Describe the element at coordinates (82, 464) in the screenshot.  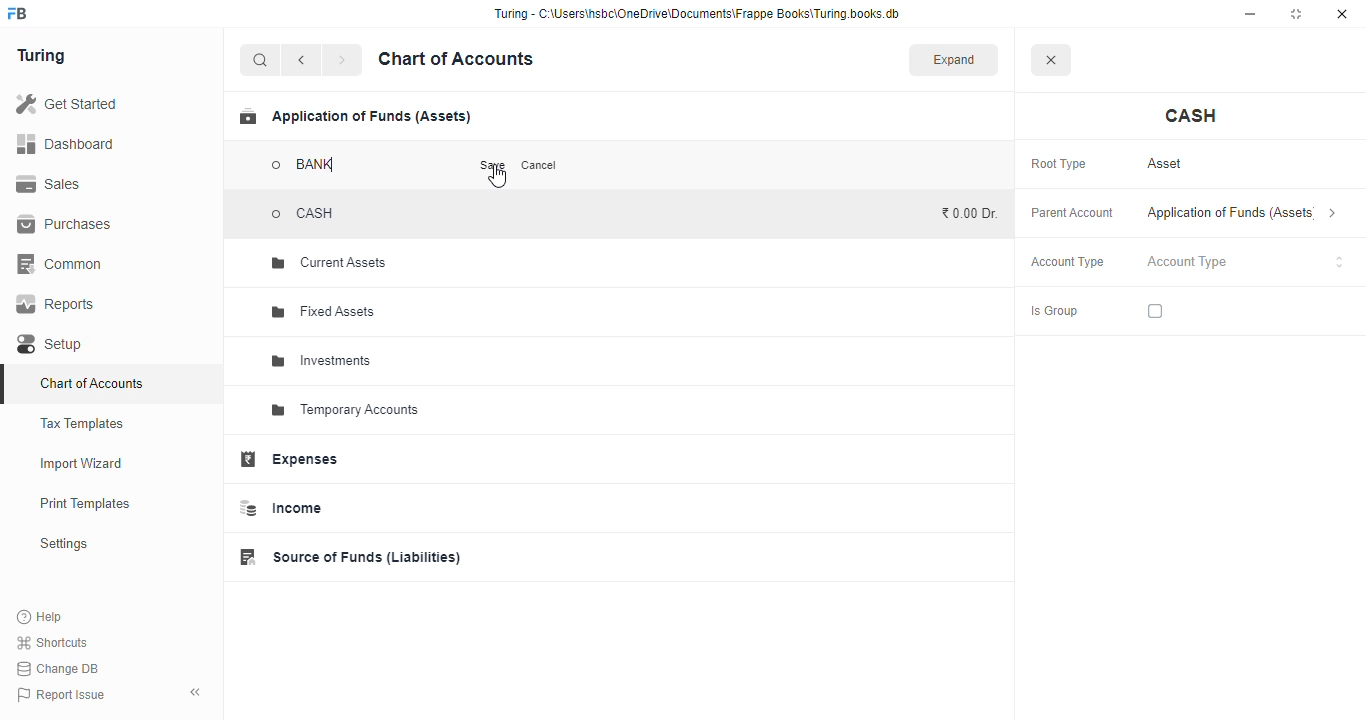
I see `import wizard` at that location.